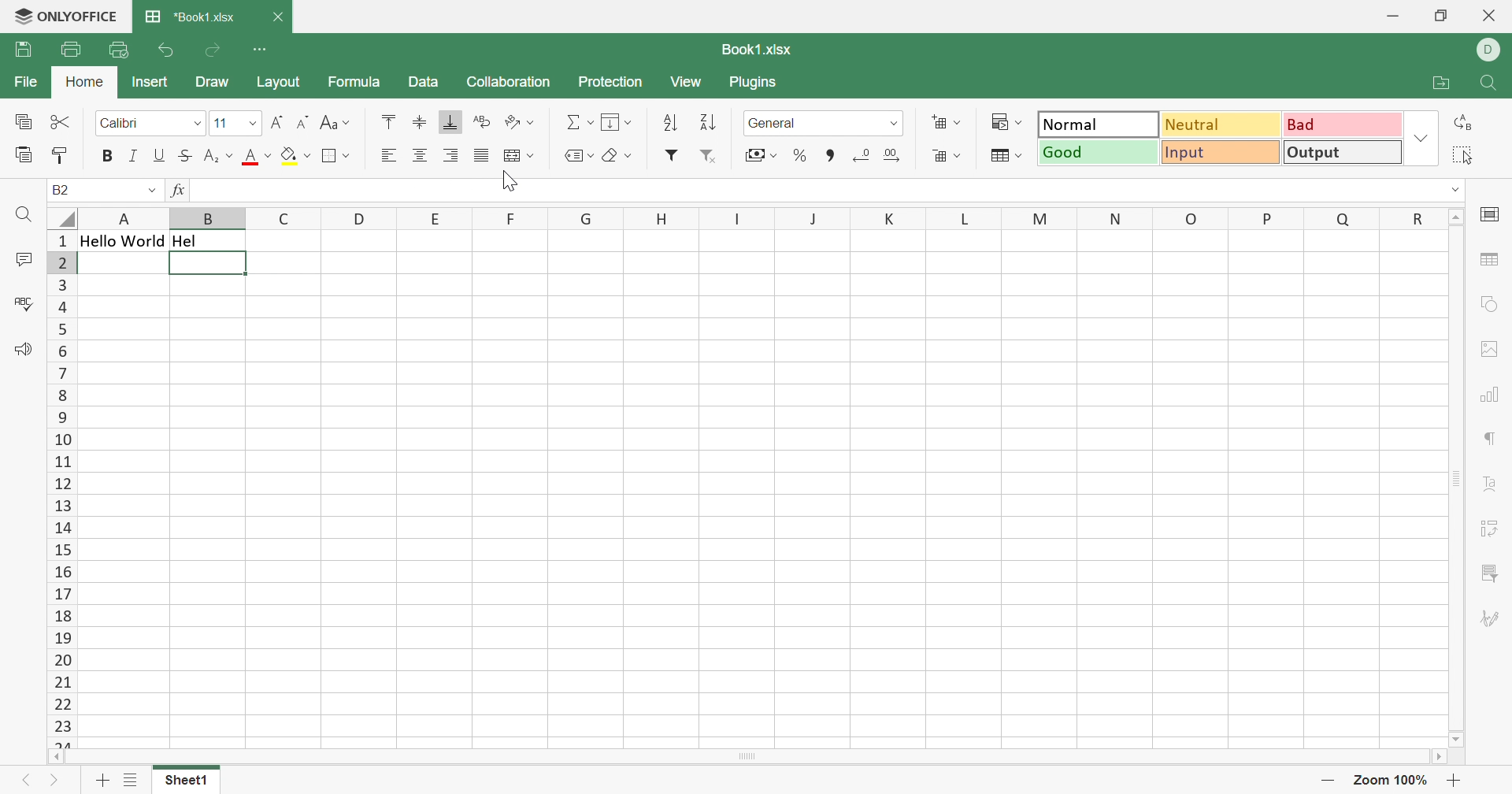 The image size is (1512, 794). I want to click on Italic, so click(135, 158).